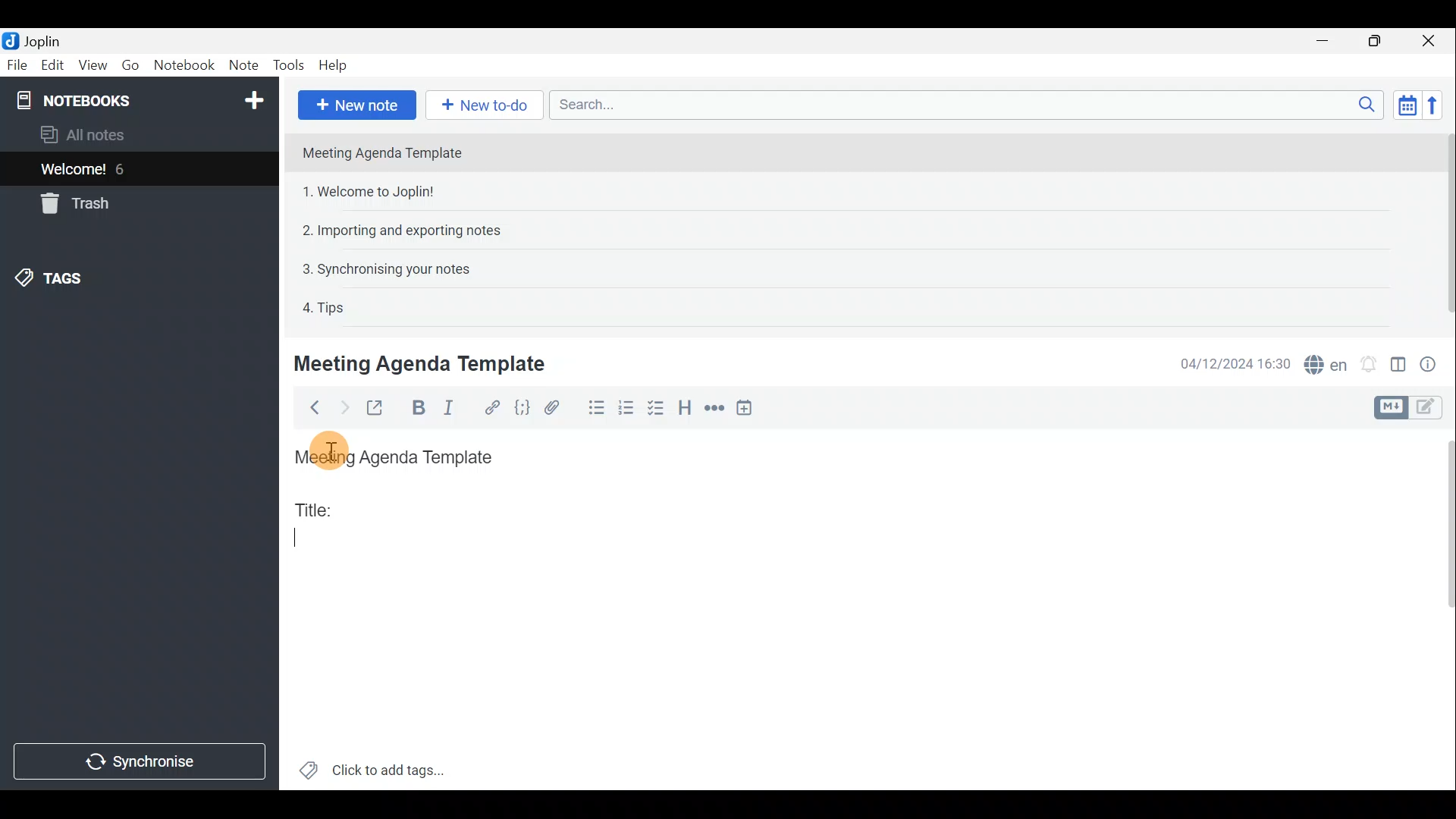 The image size is (1456, 819). I want to click on Notebook, so click(185, 64).